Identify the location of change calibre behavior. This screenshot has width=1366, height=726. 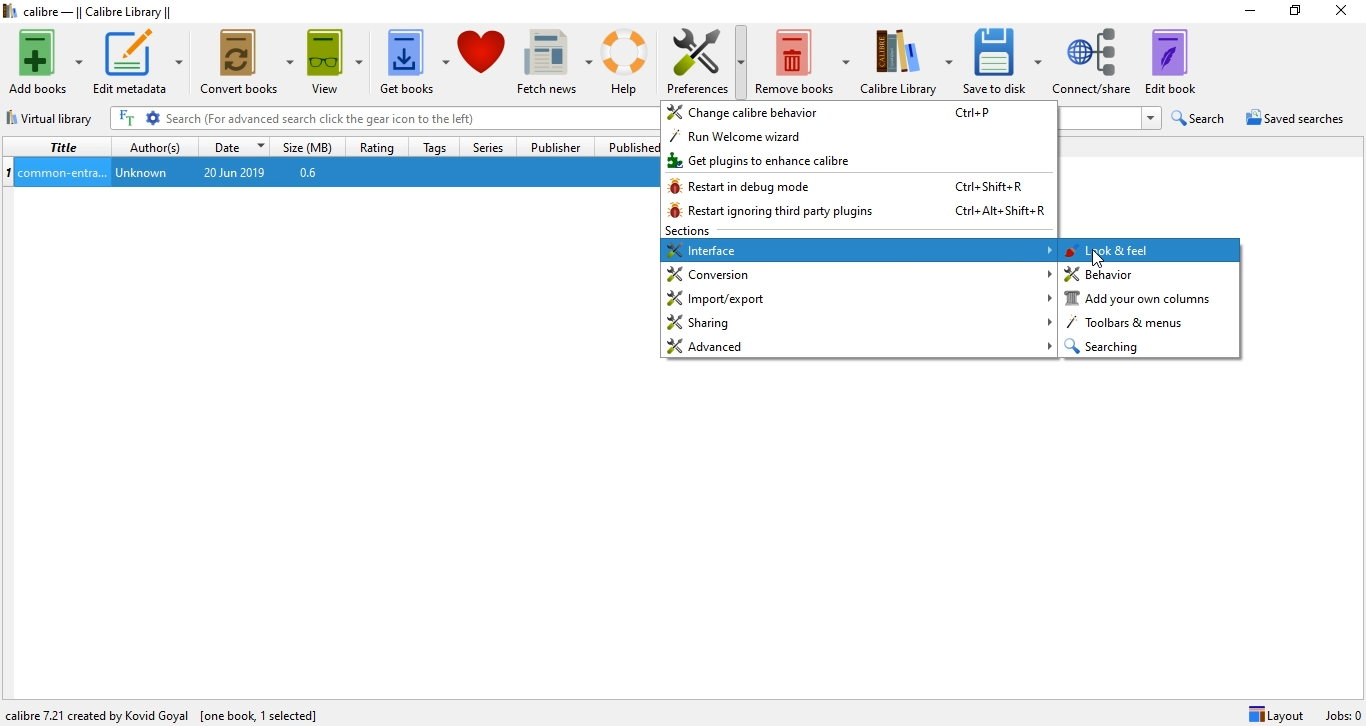
(860, 114).